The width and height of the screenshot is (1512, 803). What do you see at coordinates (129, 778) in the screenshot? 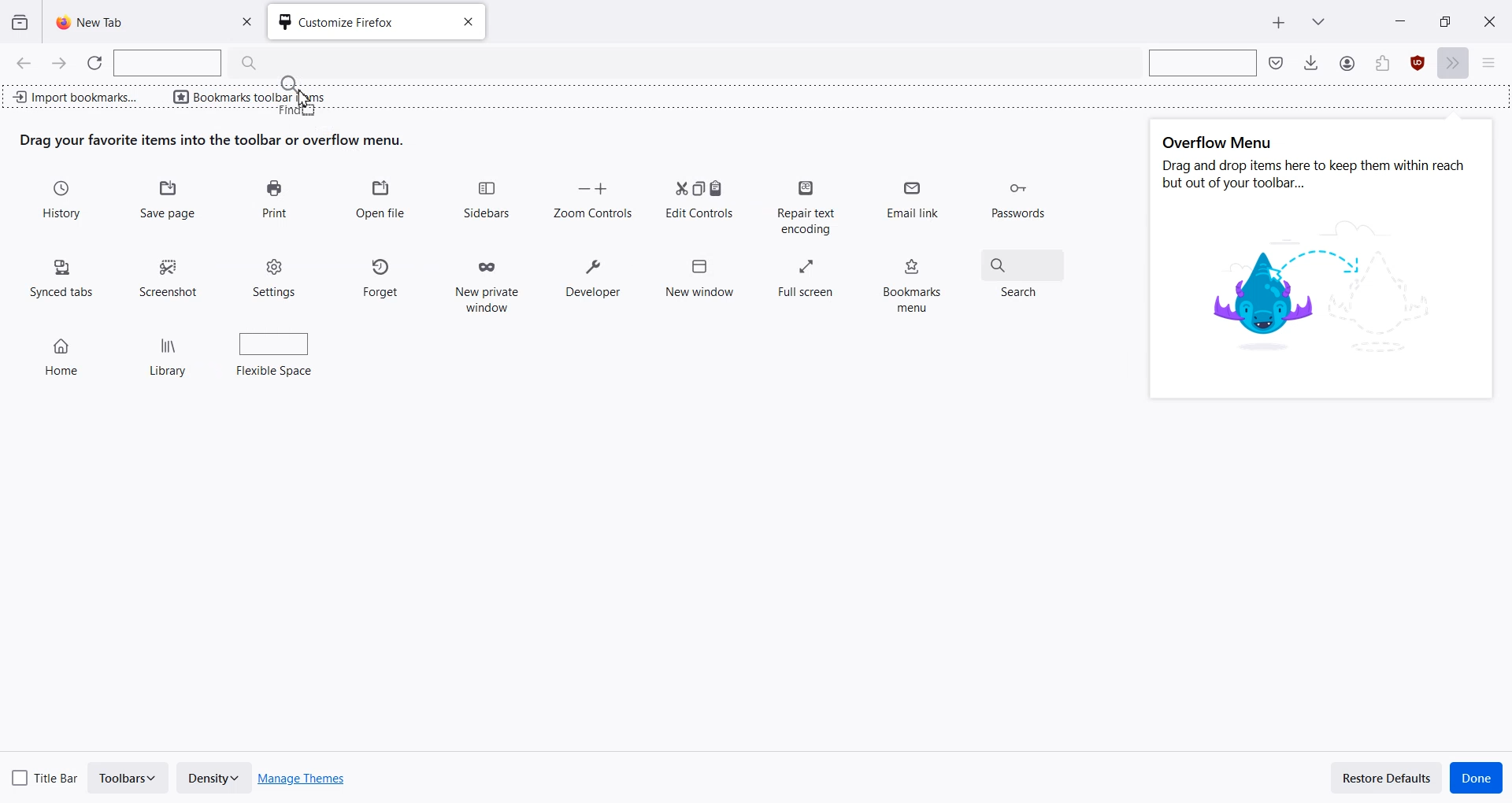
I see `Toolbars` at bounding box center [129, 778].